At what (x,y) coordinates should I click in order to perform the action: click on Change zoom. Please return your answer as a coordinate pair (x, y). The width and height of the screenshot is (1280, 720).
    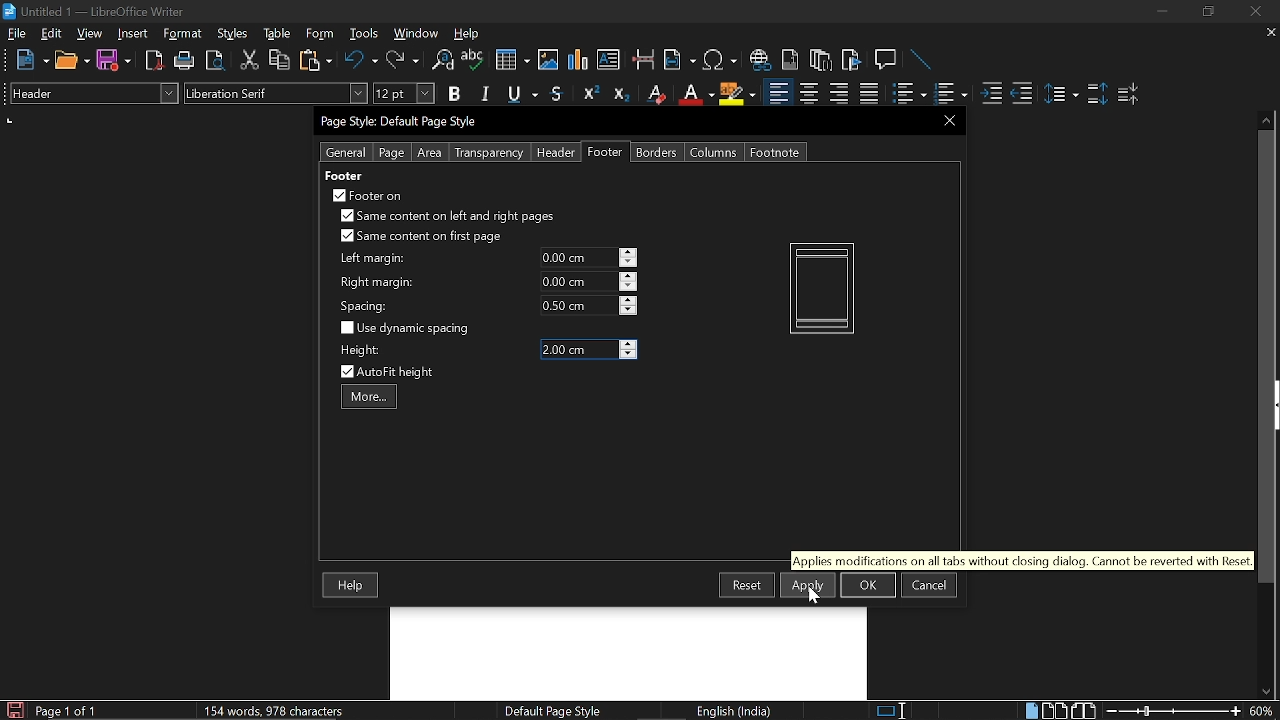
    Looking at the image, I should click on (1174, 711).